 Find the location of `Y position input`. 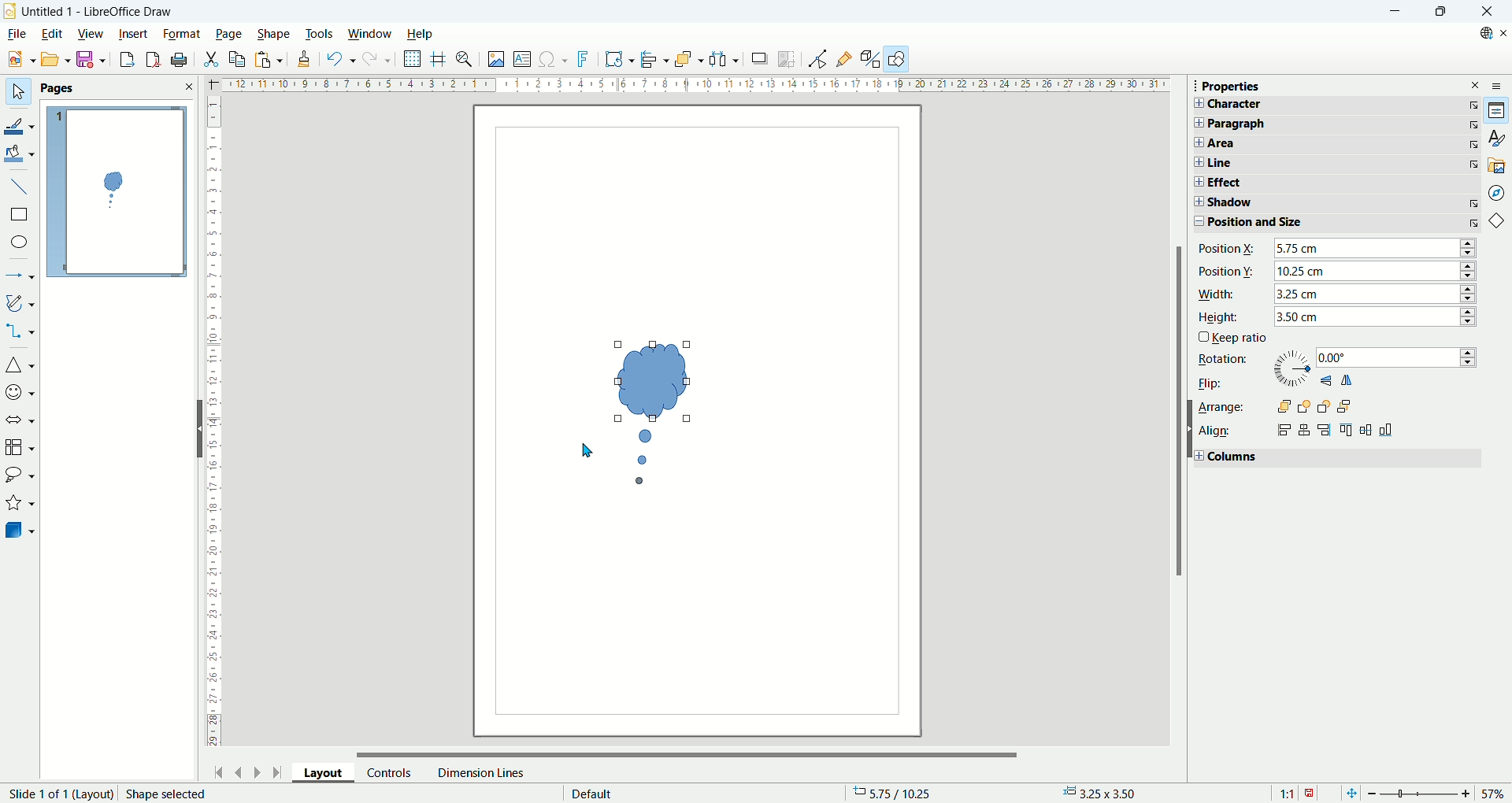

Y position input is located at coordinates (1374, 270).